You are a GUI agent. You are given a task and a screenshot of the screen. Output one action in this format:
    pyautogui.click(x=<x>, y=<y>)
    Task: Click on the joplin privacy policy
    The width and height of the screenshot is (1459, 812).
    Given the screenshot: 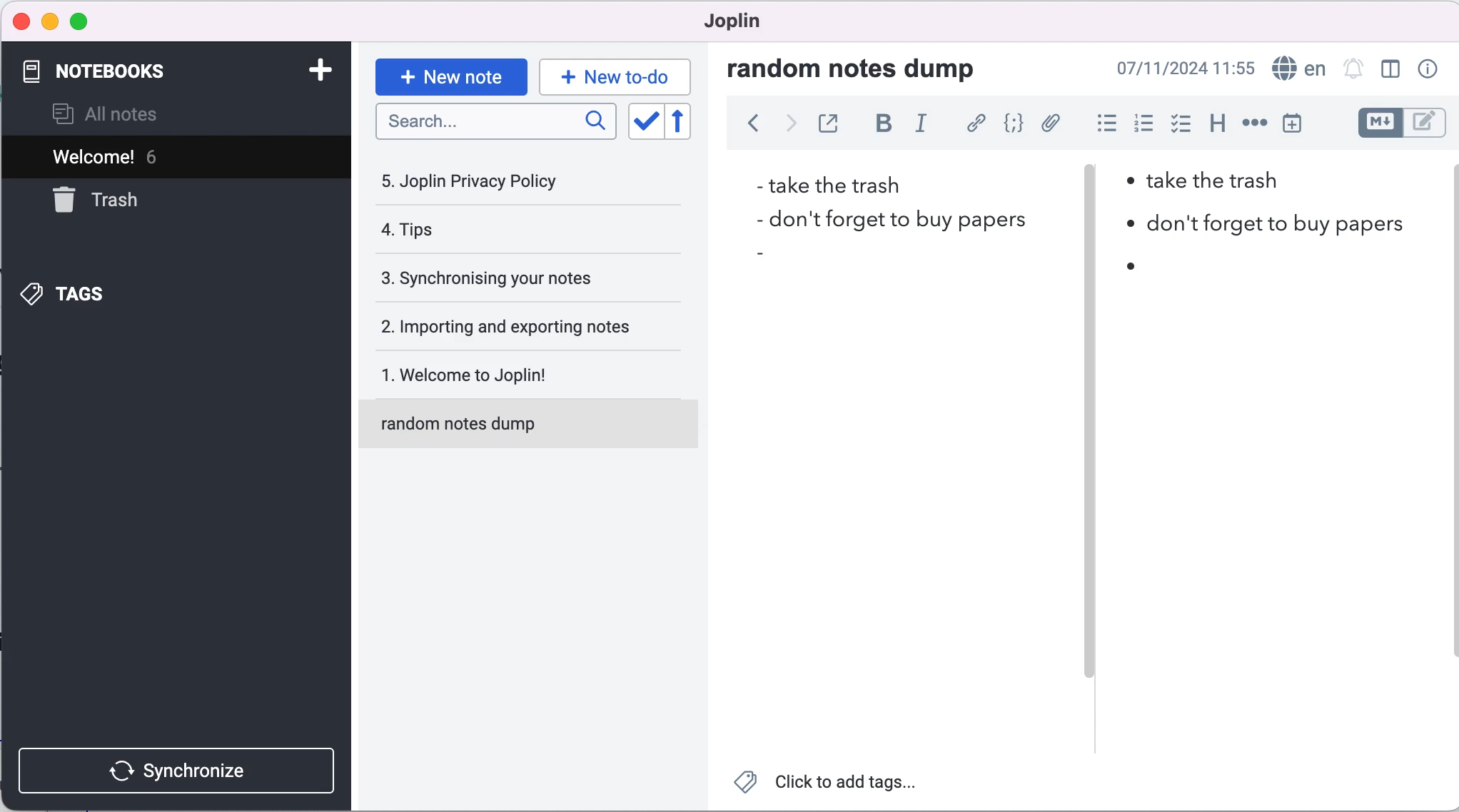 What is the action you would take?
    pyautogui.click(x=486, y=181)
    